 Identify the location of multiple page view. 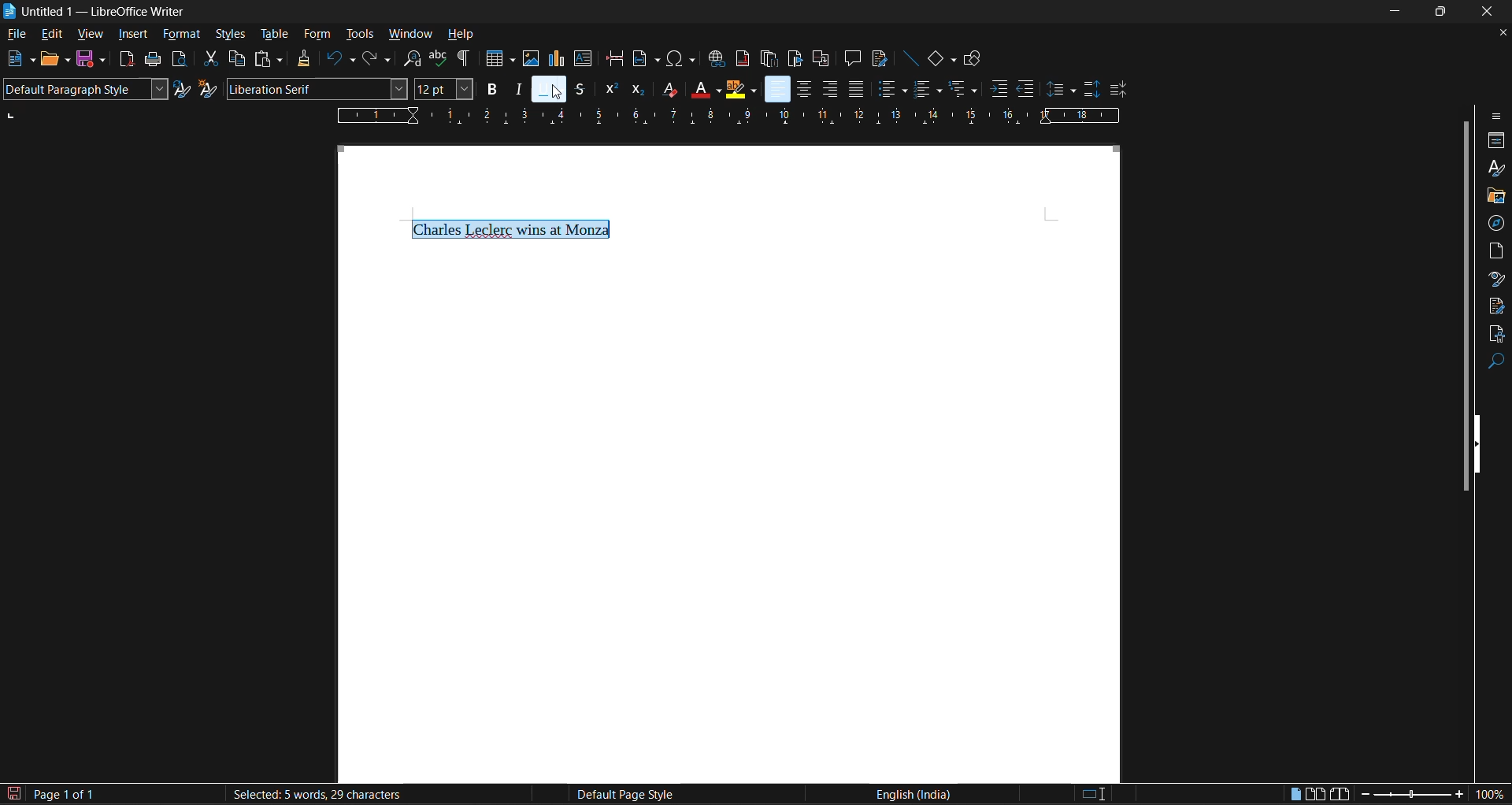
(1315, 793).